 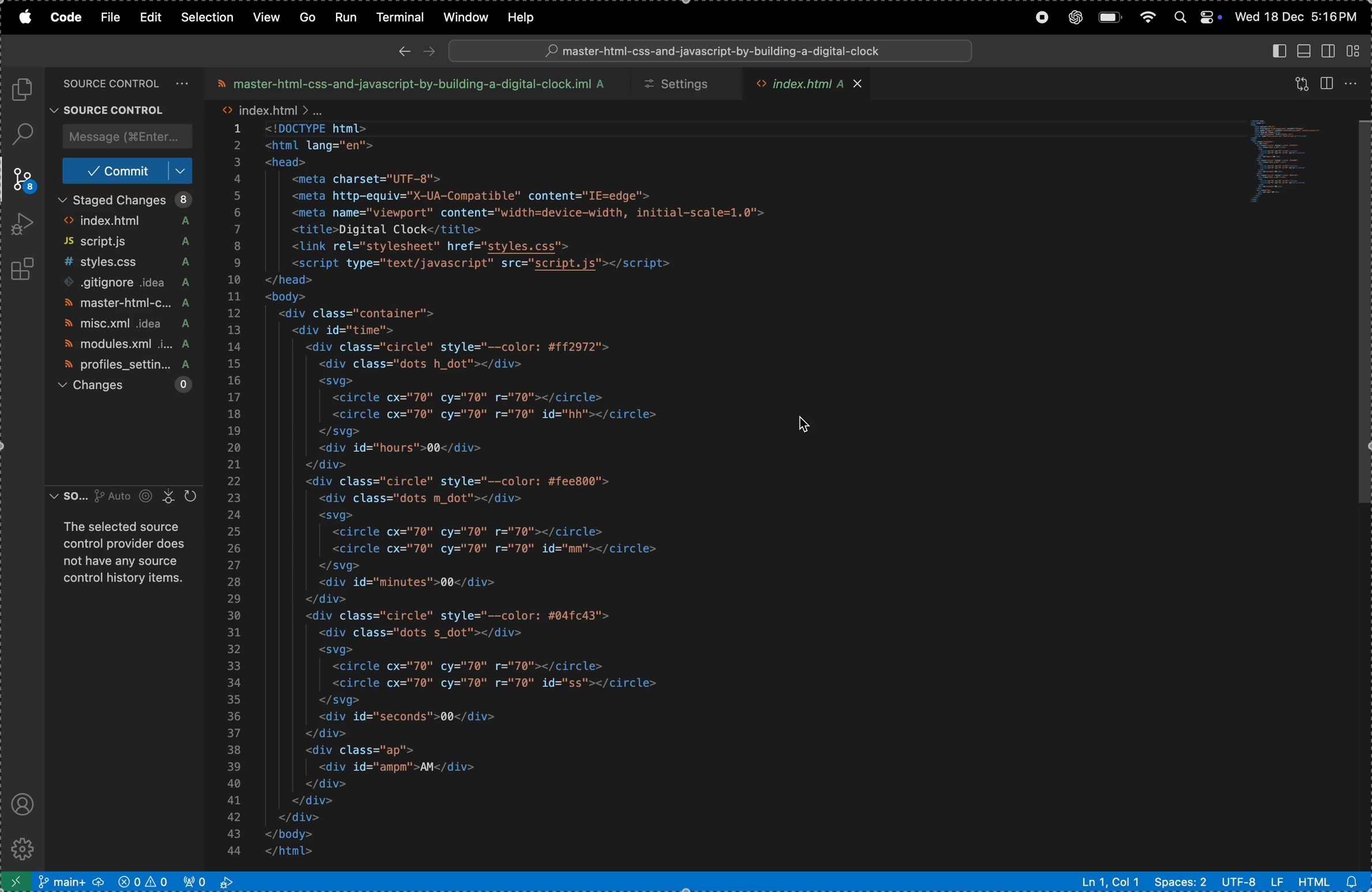 I want to click on split editor, so click(x=1329, y=82).